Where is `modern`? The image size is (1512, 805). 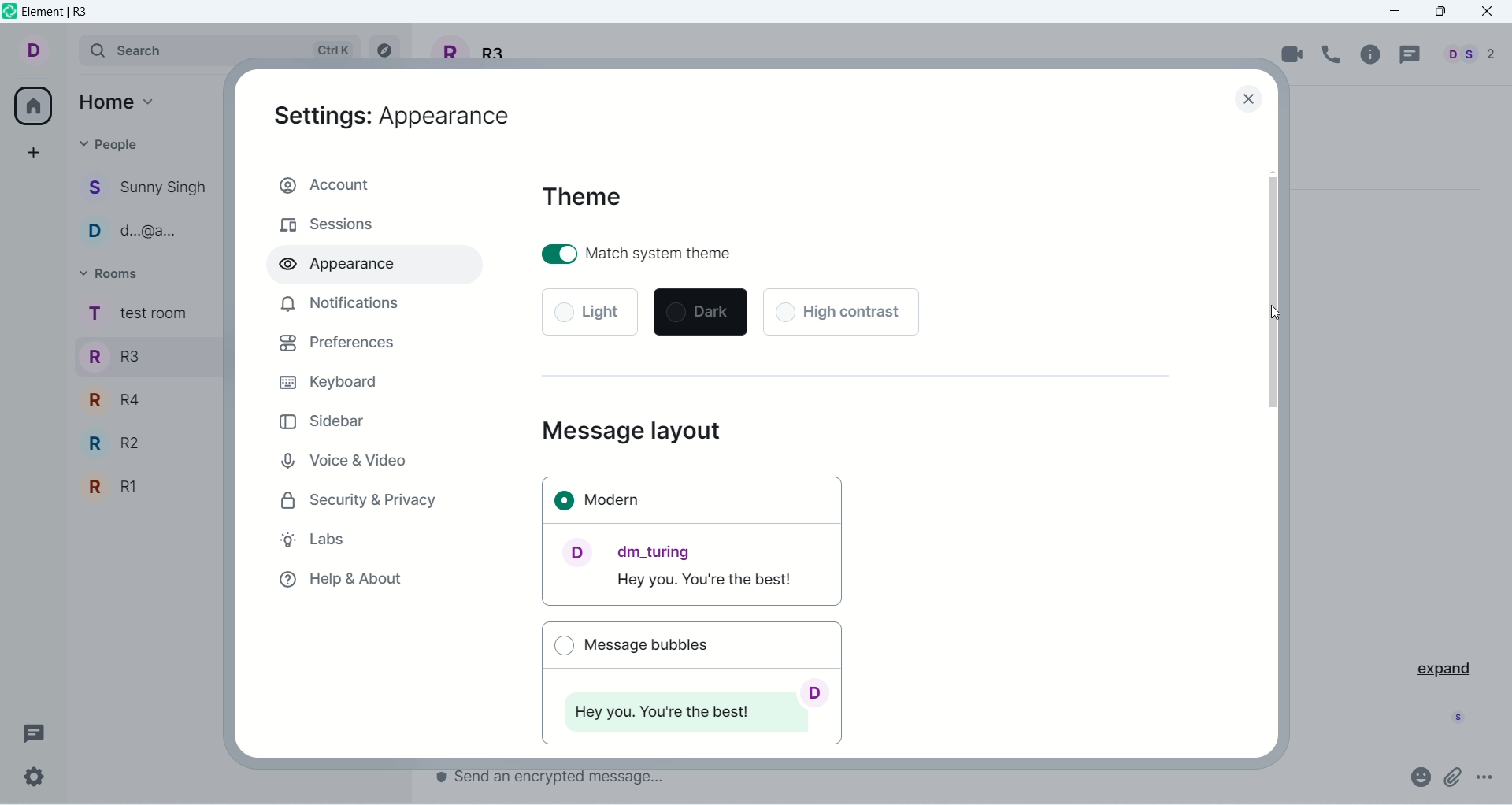 modern is located at coordinates (698, 543).